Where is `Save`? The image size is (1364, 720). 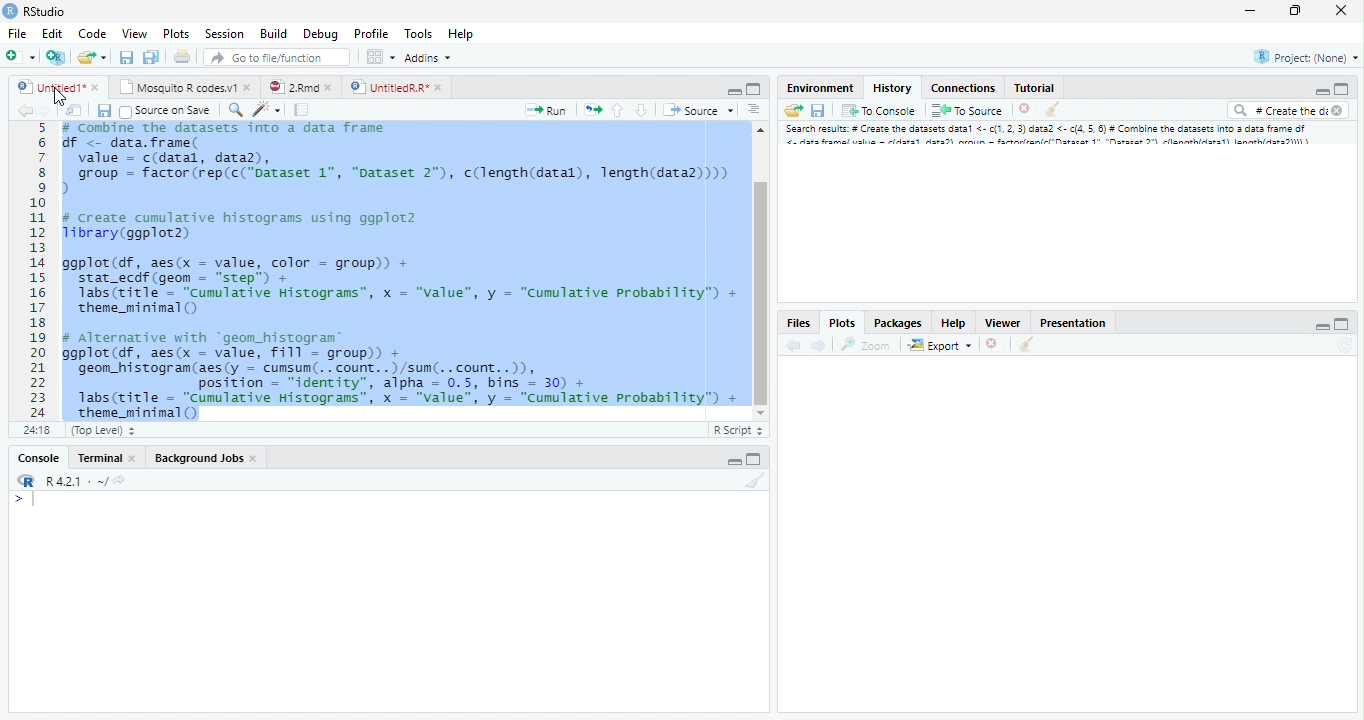
Save is located at coordinates (126, 57).